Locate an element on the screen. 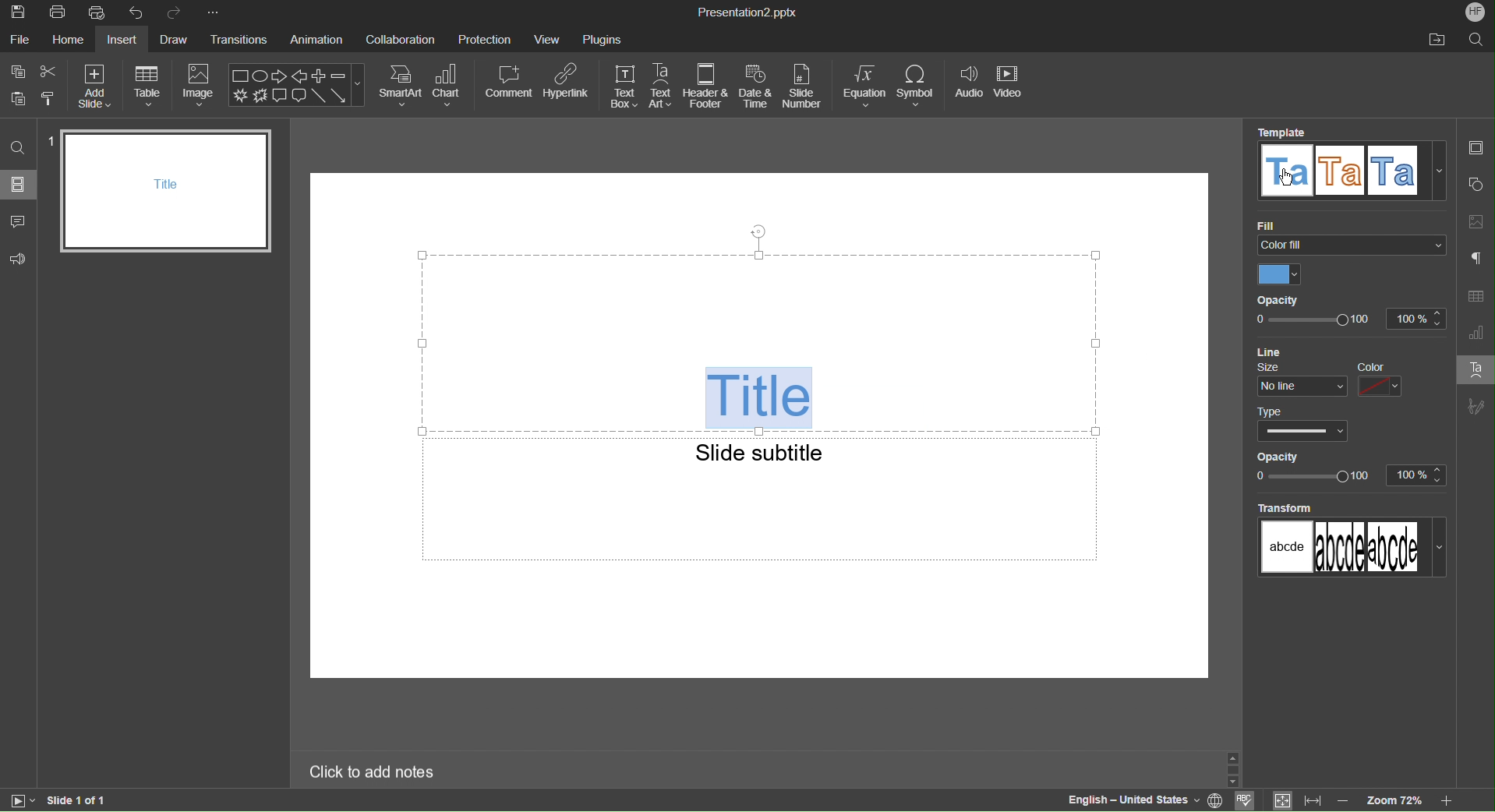 Image resolution: width=1495 pixels, height=812 pixels. Feedback and Support is located at coordinates (19, 259).